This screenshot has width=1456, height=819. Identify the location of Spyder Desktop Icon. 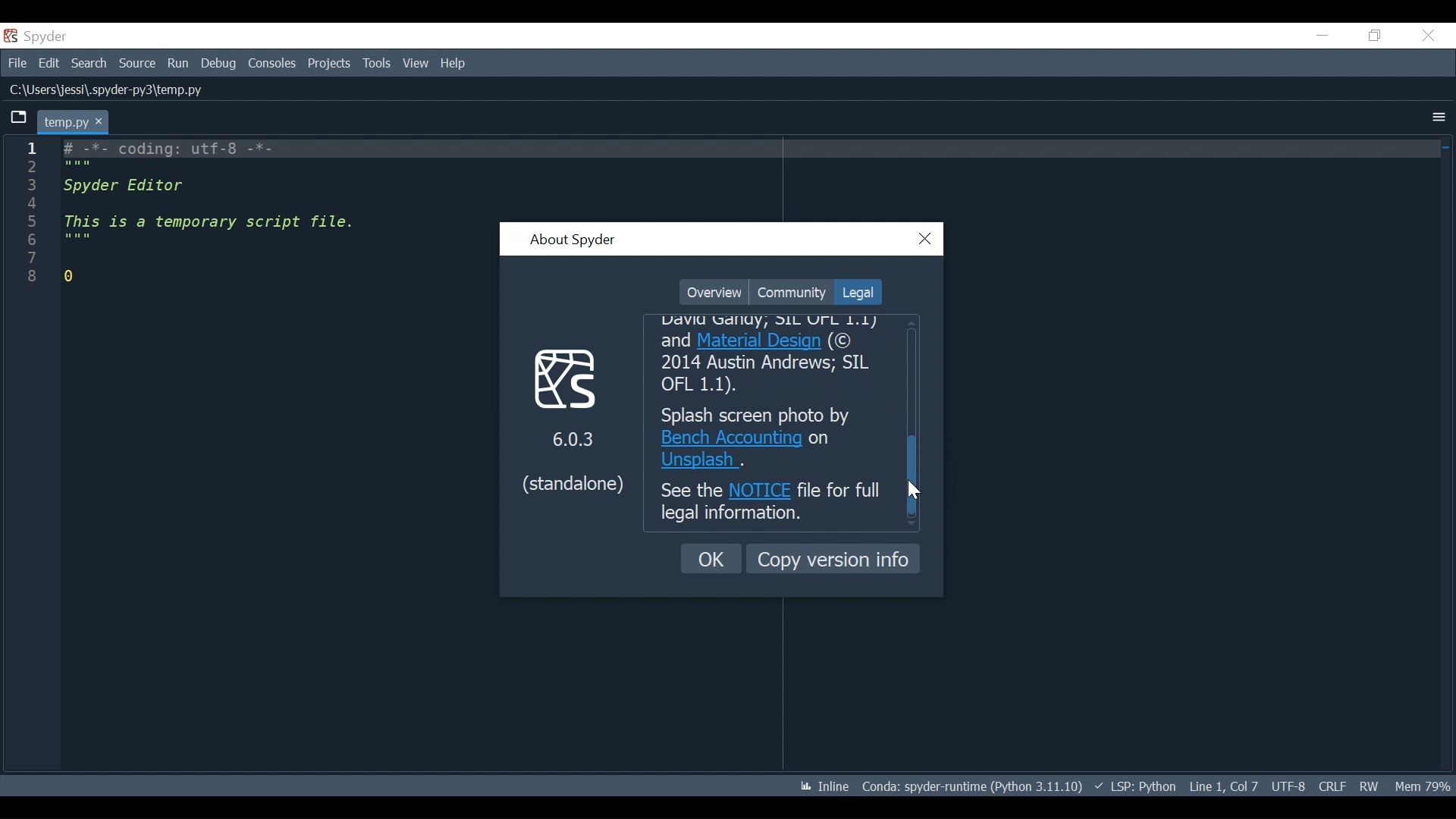
(39, 36).